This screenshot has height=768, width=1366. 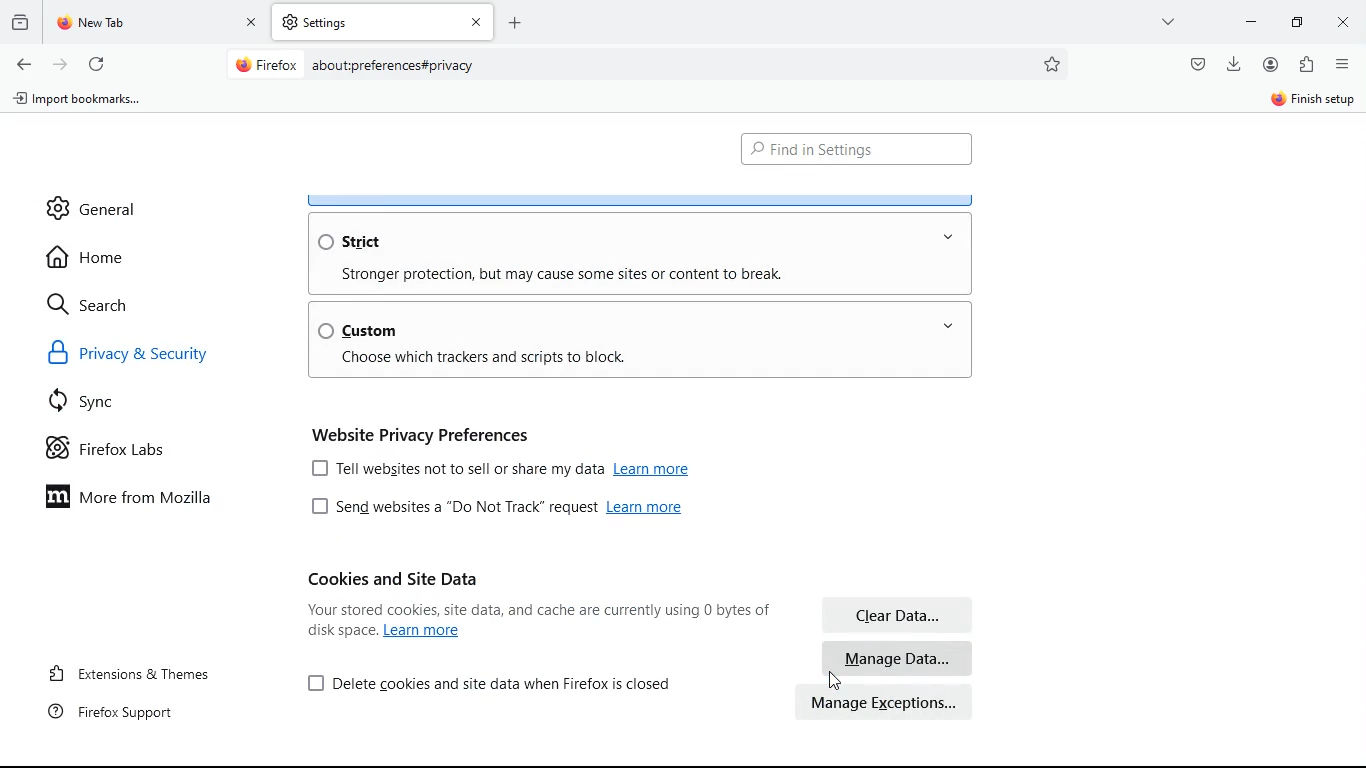 I want to click on home, so click(x=94, y=257).